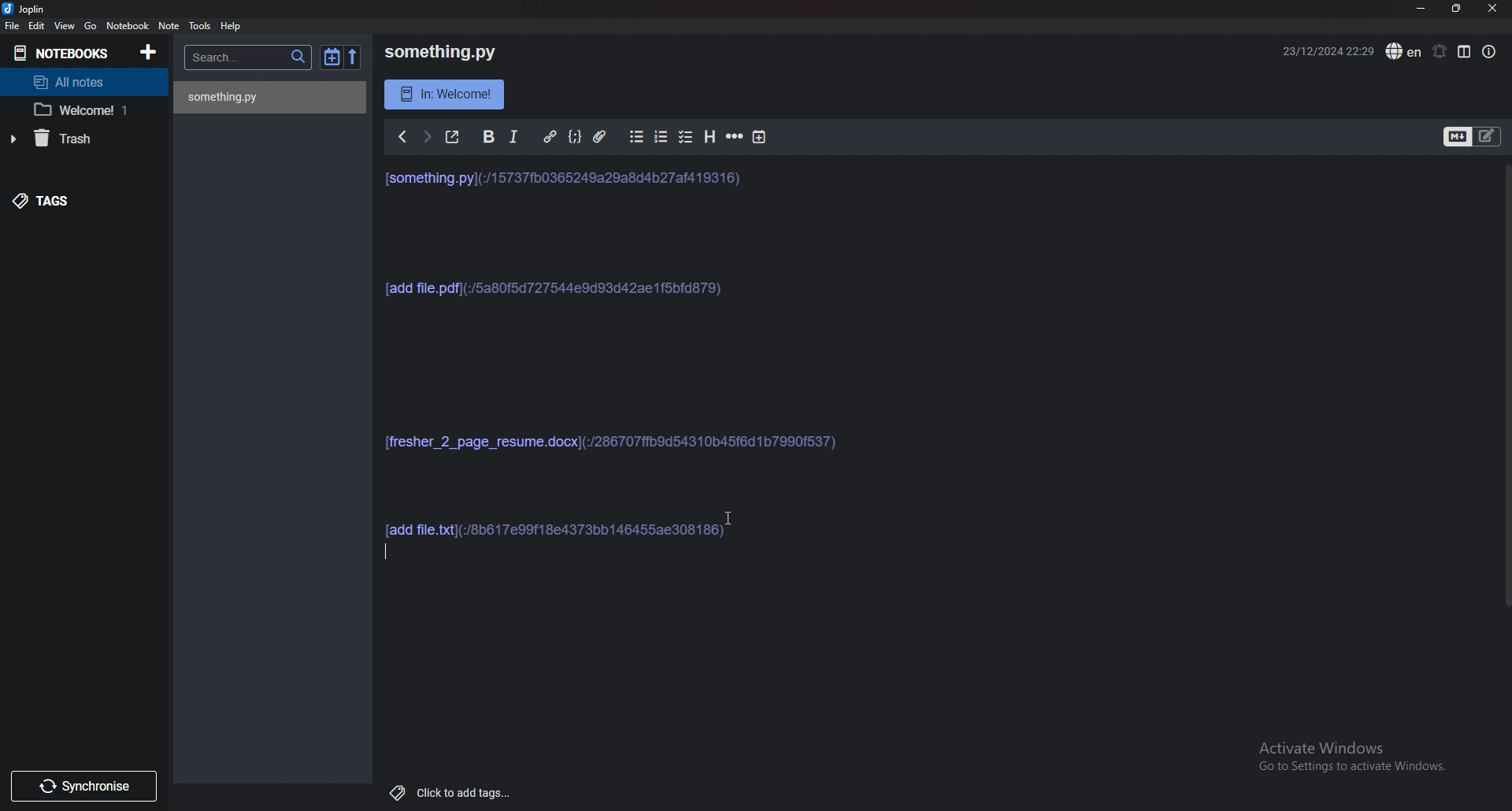 The image size is (1512, 811). Describe the element at coordinates (443, 790) in the screenshot. I see `<{D CcClickto add tags...` at that location.